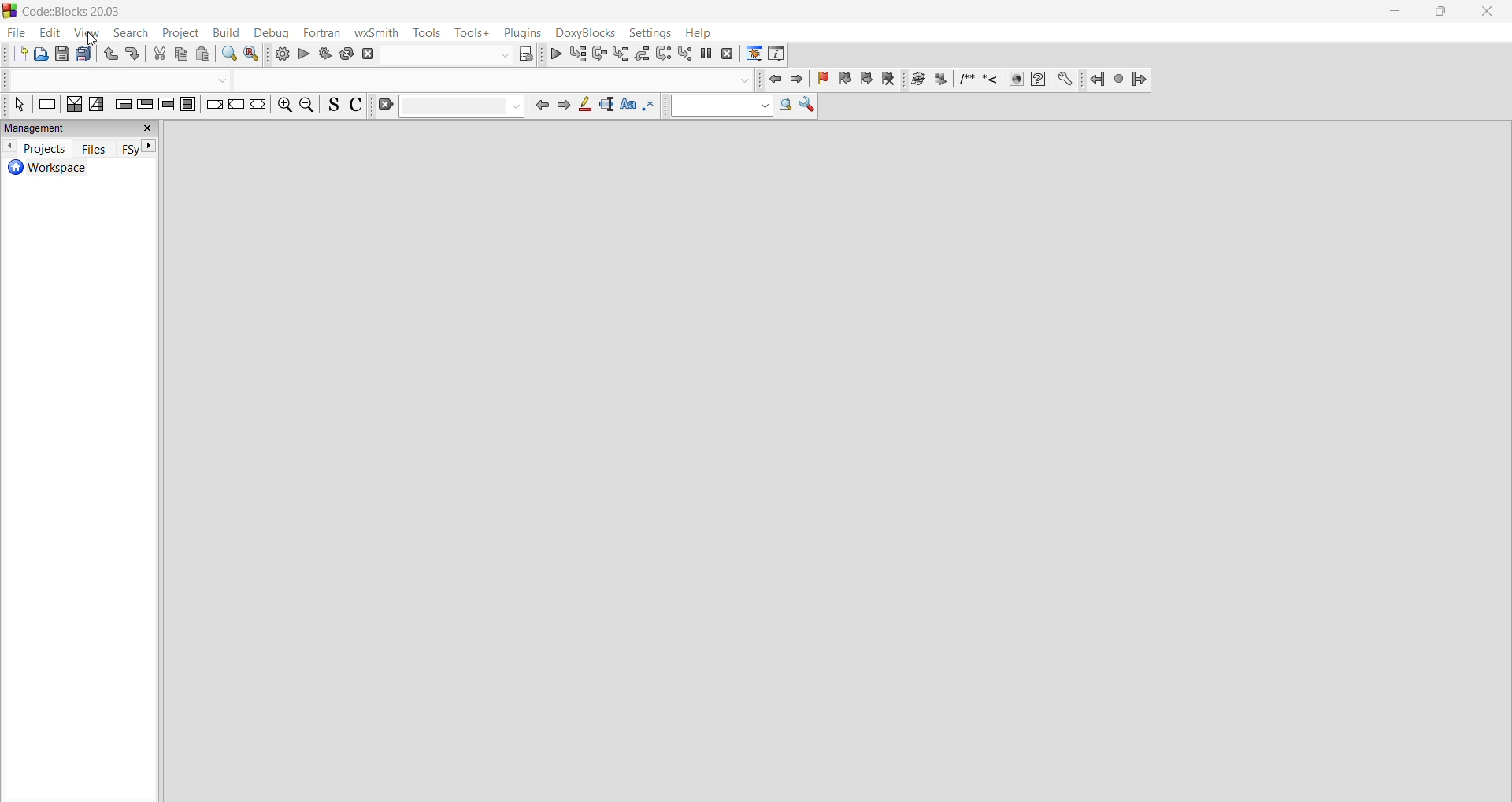  Describe the element at coordinates (87, 33) in the screenshot. I see `view` at that location.